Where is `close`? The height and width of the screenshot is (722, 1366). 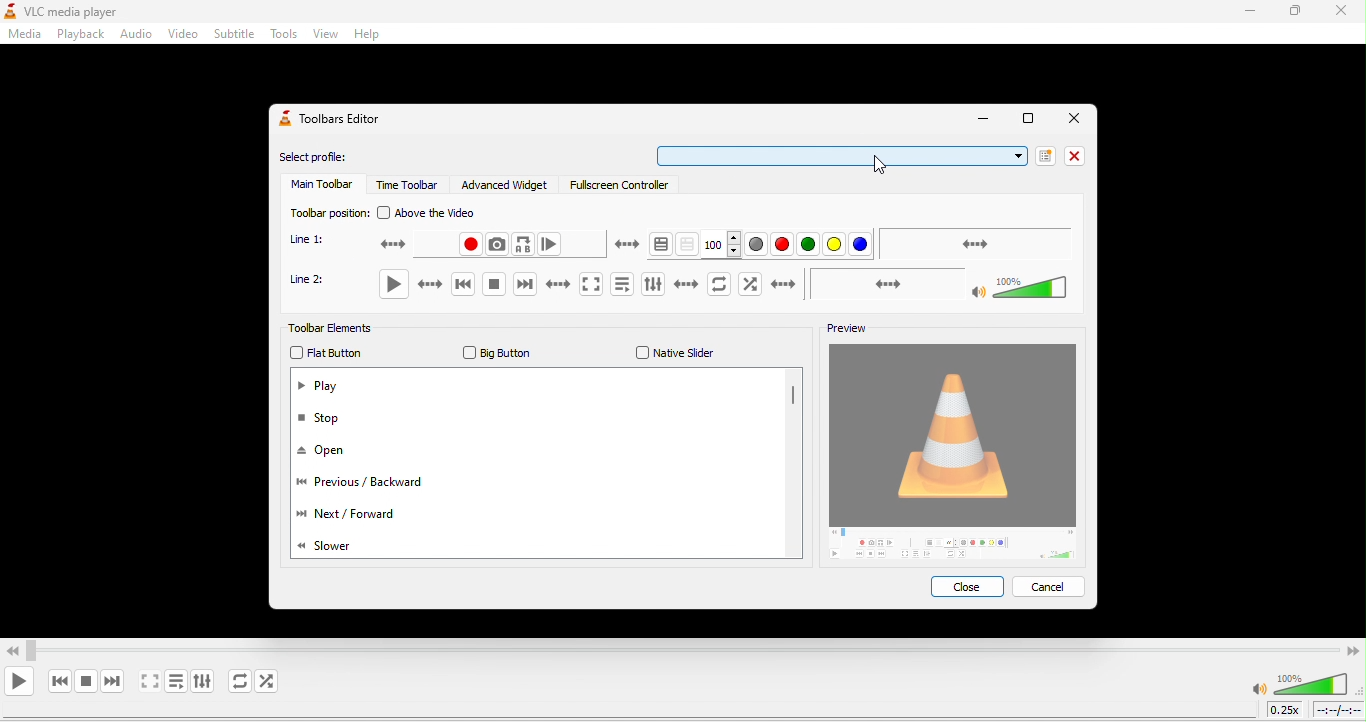 close is located at coordinates (966, 586).